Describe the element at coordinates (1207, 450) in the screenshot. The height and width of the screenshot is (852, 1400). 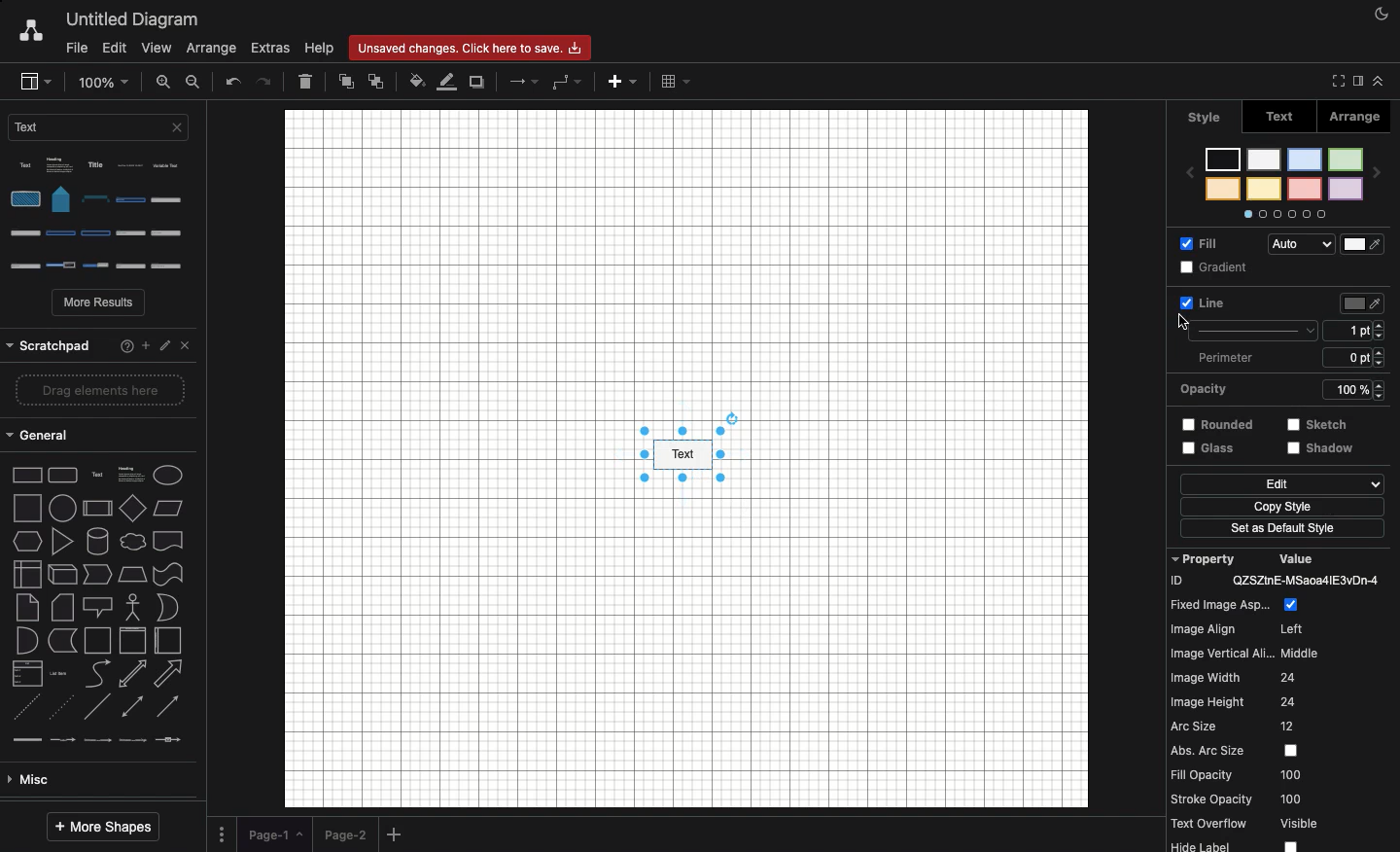
I see `Edit` at that location.